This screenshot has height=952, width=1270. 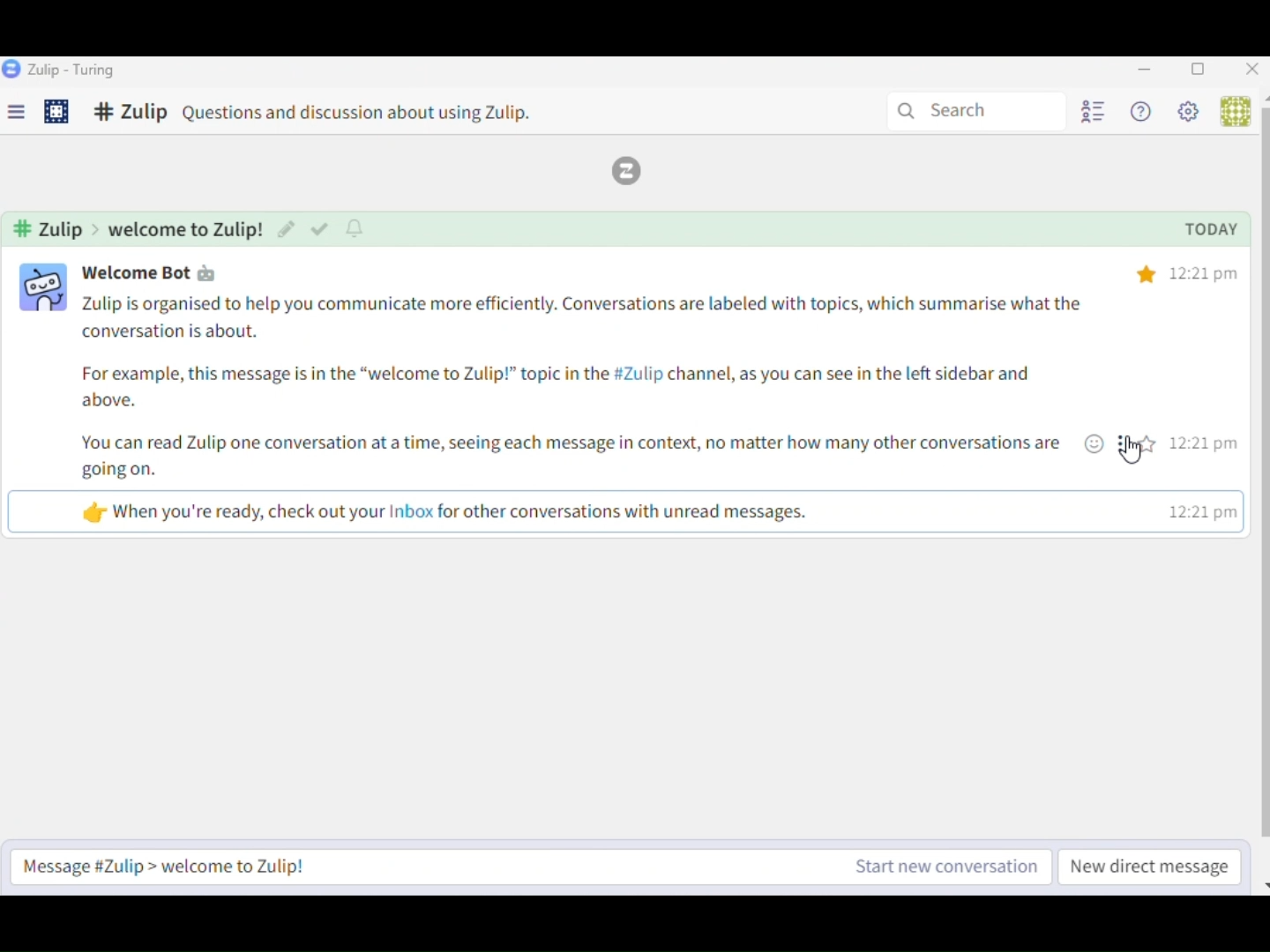 What do you see at coordinates (1233, 111) in the screenshot?
I see `User` at bounding box center [1233, 111].